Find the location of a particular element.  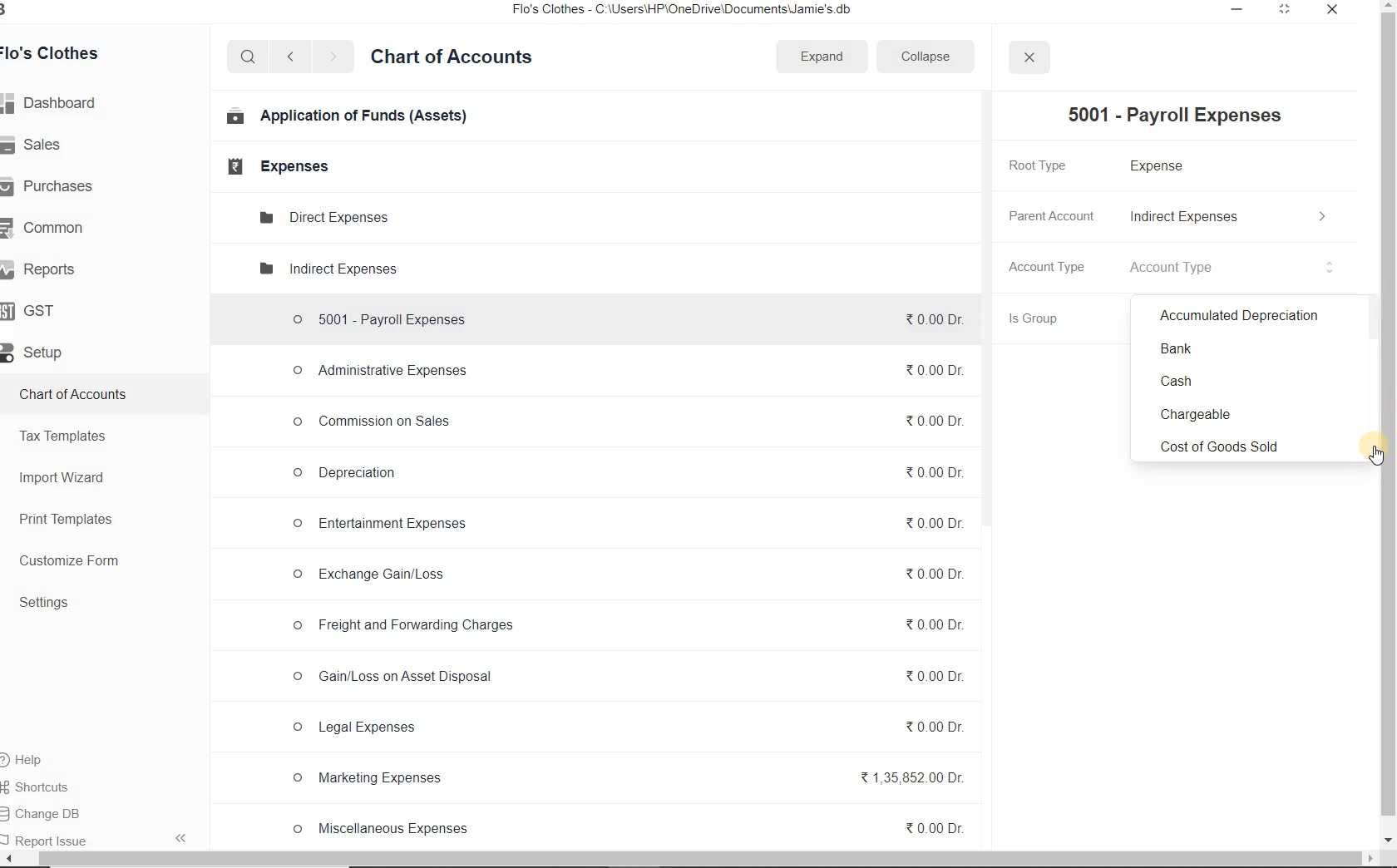

Expense is located at coordinates (1160, 167).